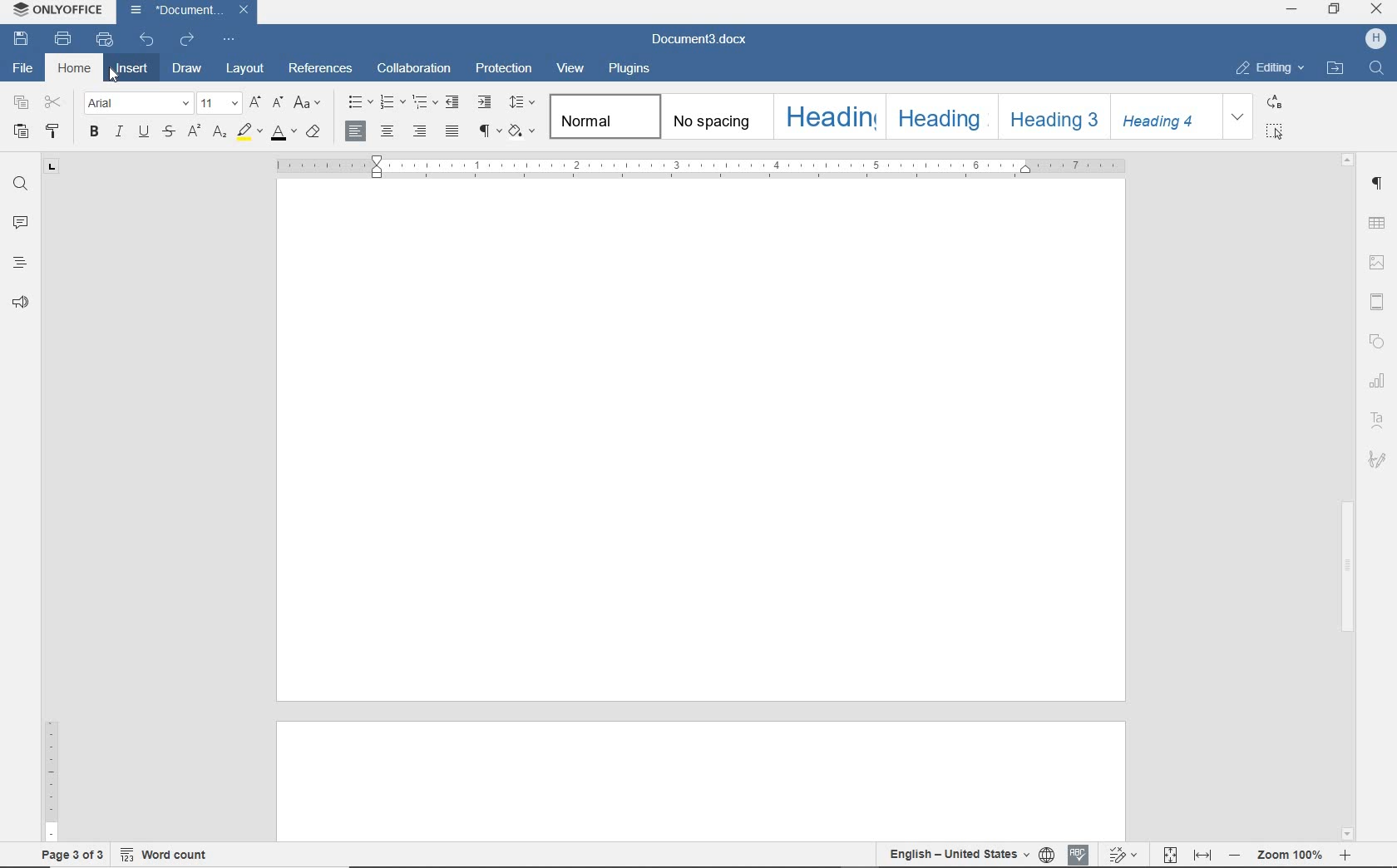  Describe the element at coordinates (149, 38) in the screenshot. I see `UNDO` at that location.